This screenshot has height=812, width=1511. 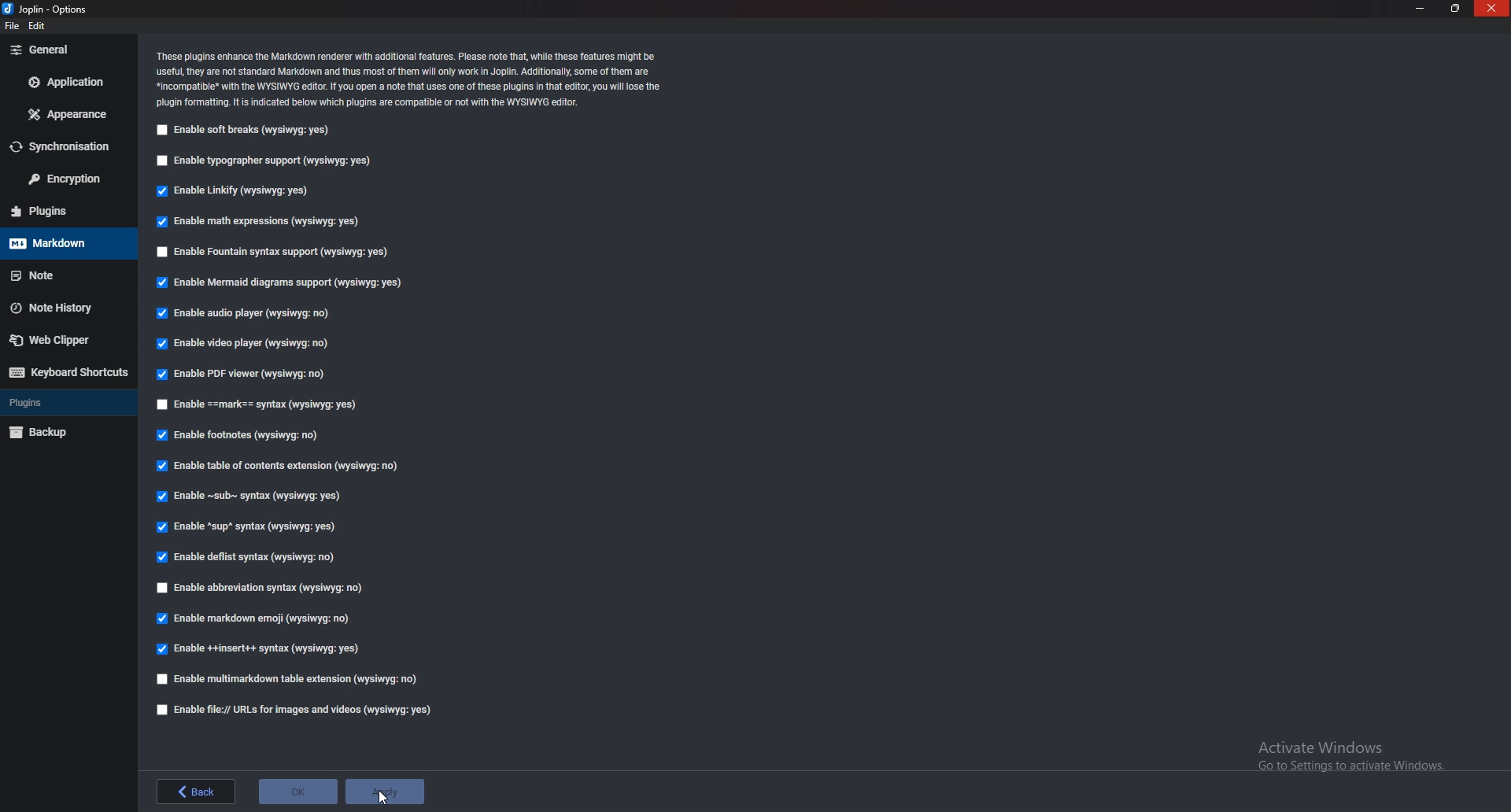 What do you see at coordinates (65, 50) in the screenshot?
I see `General` at bounding box center [65, 50].